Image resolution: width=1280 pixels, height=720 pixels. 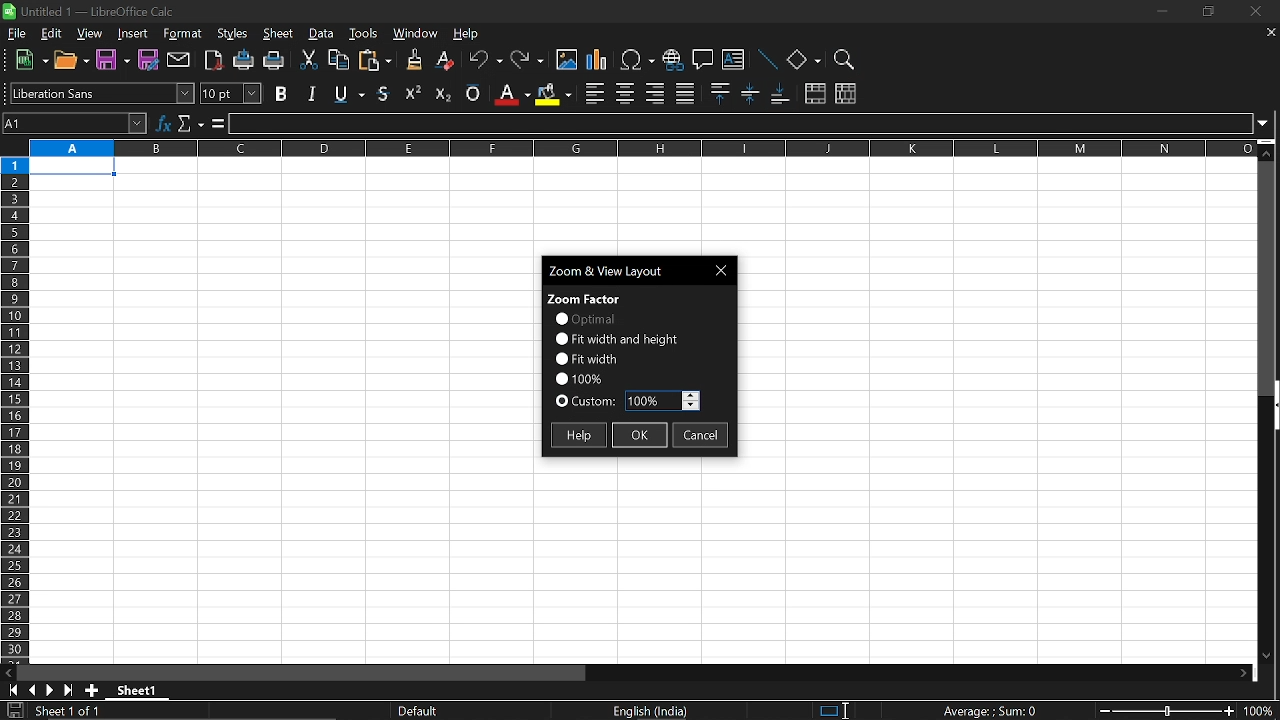 I want to click on horizontal scrollbar, so click(x=306, y=673).